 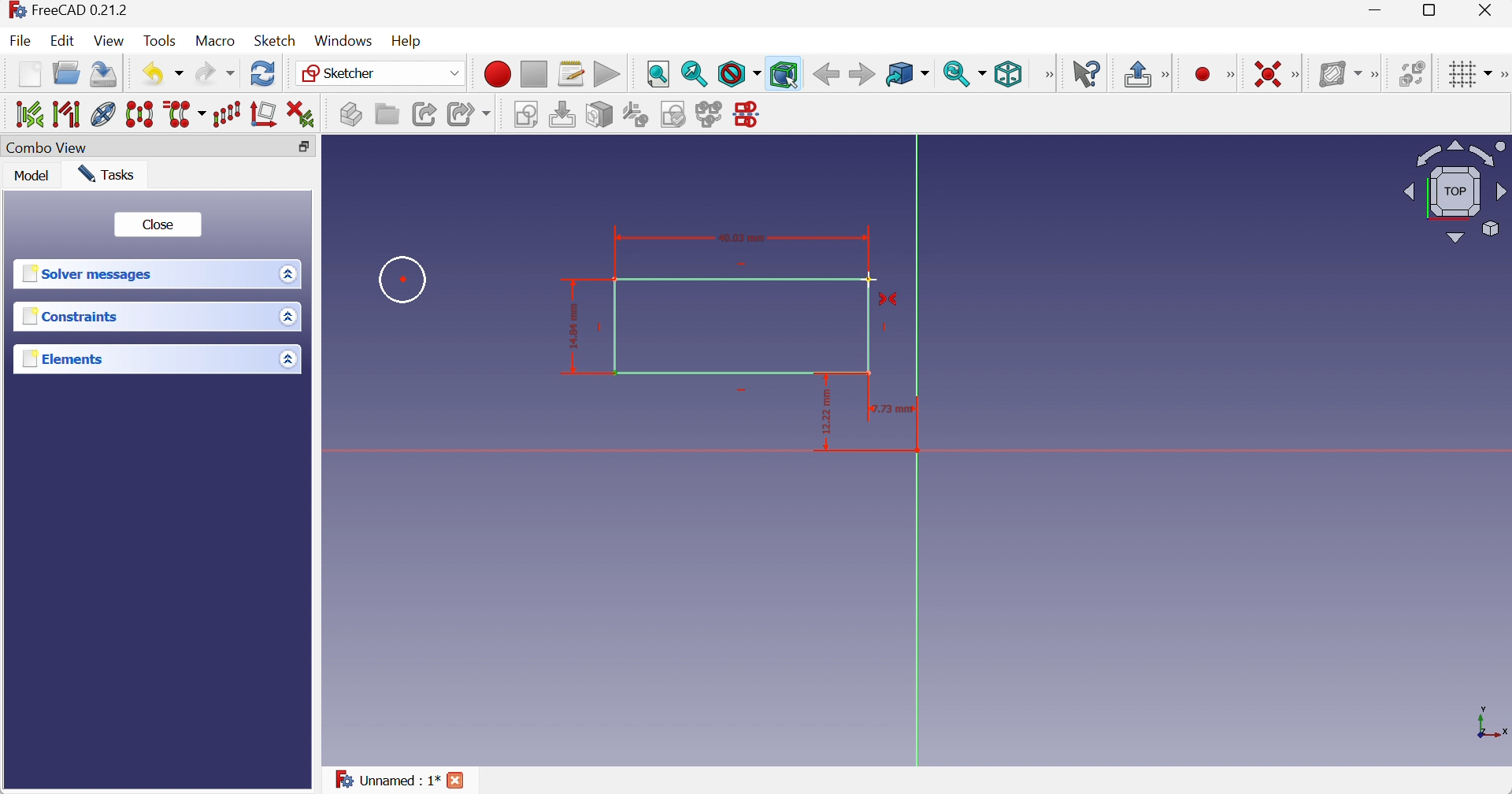 I want to click on File, so click(x=20, y=40).